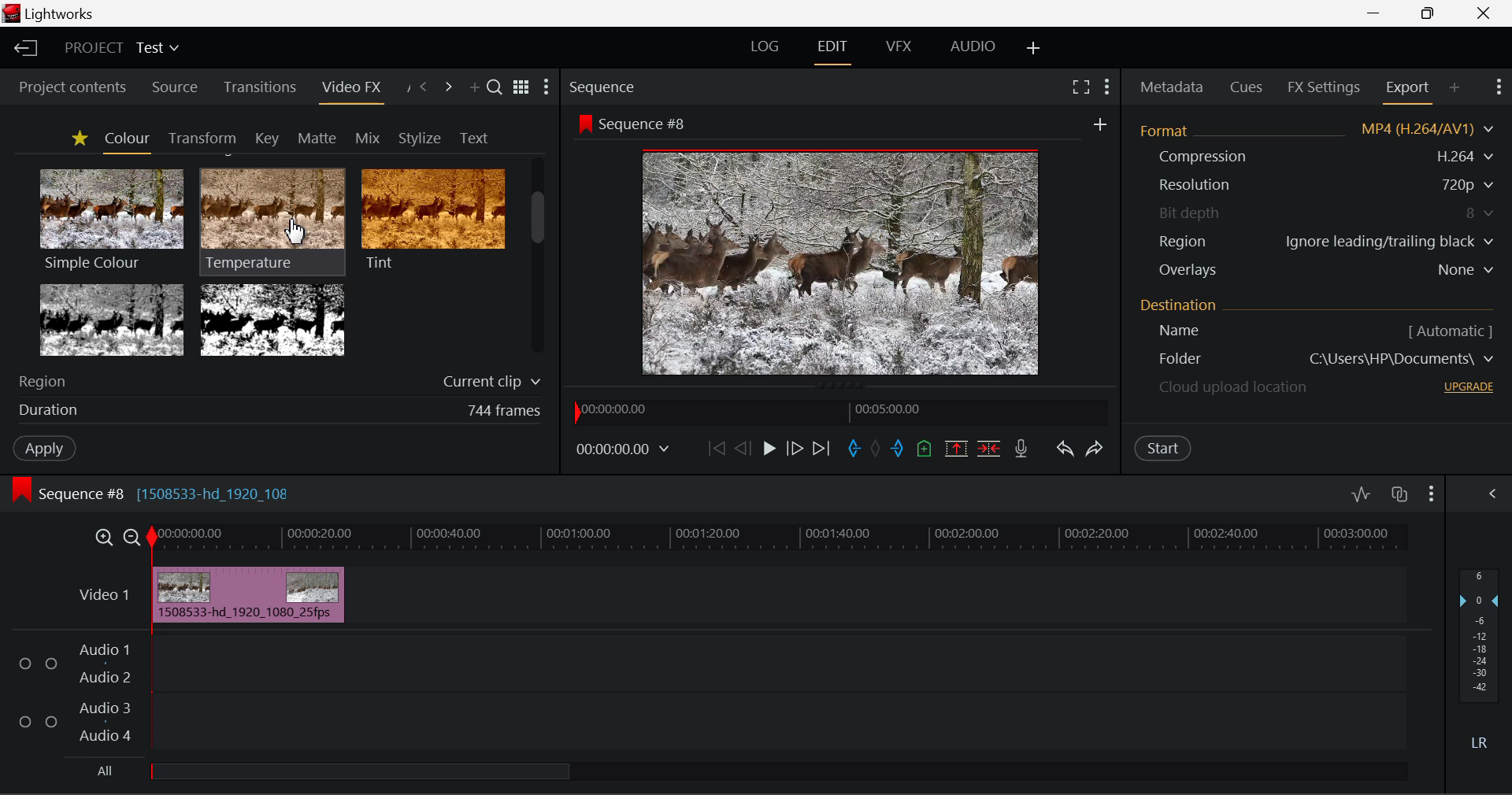 The width and height of the screenshot is (1512, 795). What do you see at coordinates (36, 447) in the screenshot?
I see `Apply` at bounding box center [36, 447].